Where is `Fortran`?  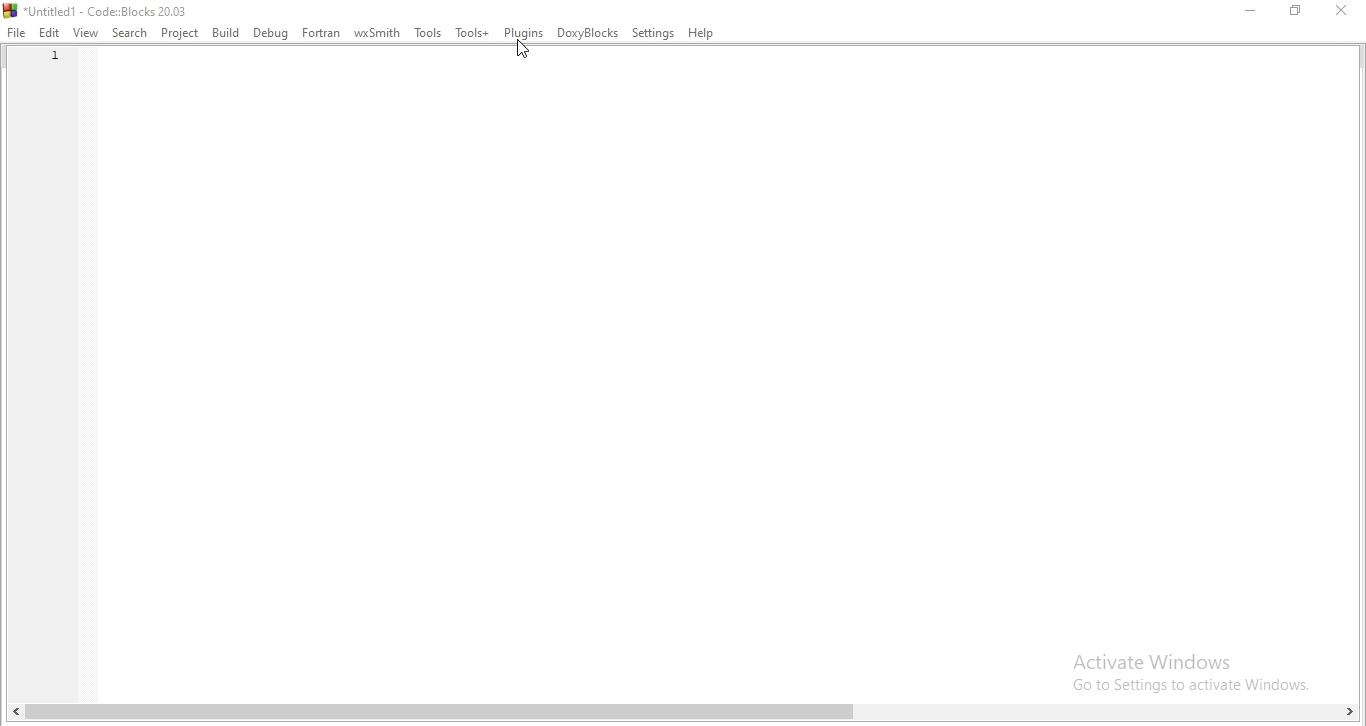
Fortran is located at coordinates (321, 34).